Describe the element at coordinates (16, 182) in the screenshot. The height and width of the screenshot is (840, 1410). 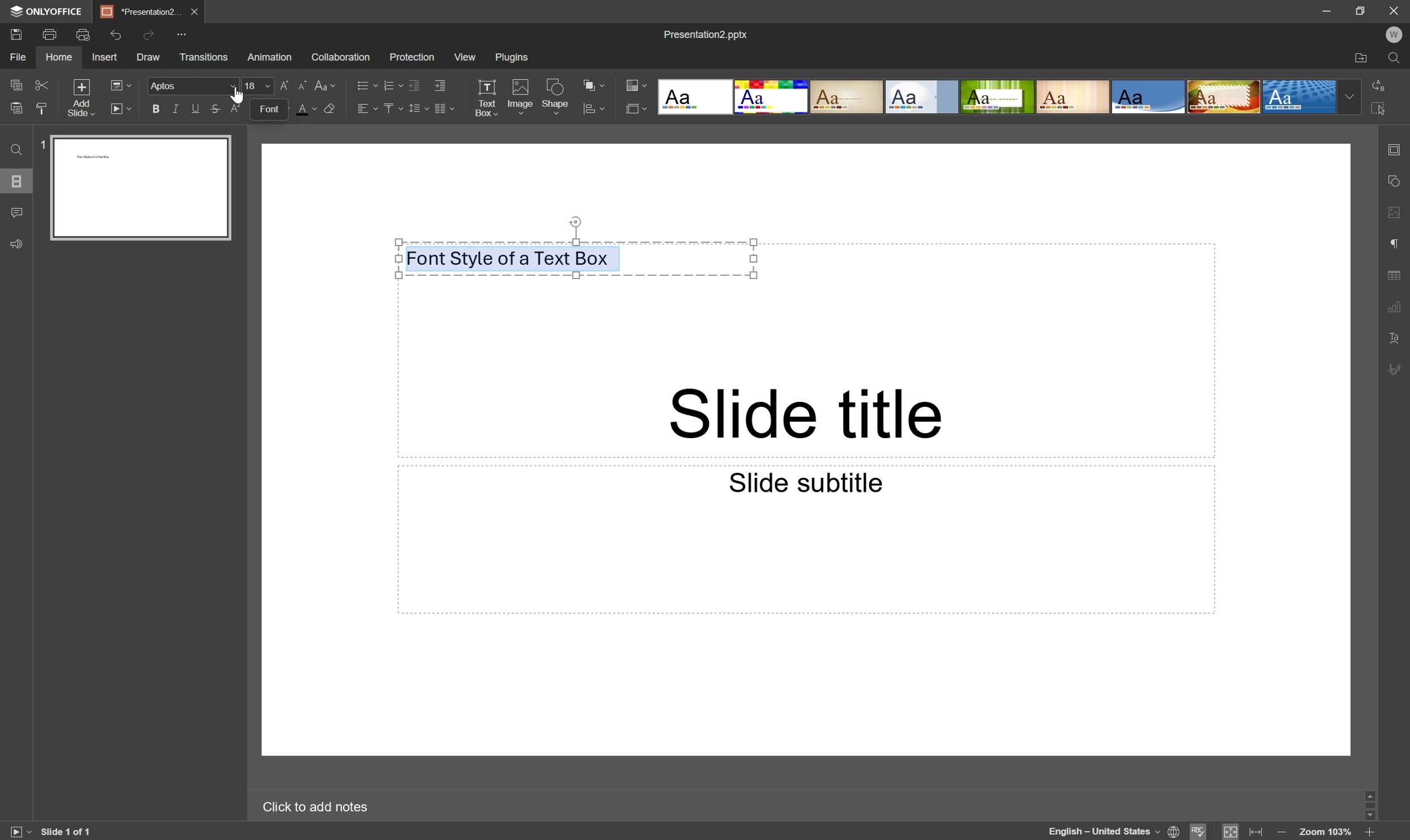
I see `Slides` at that location.